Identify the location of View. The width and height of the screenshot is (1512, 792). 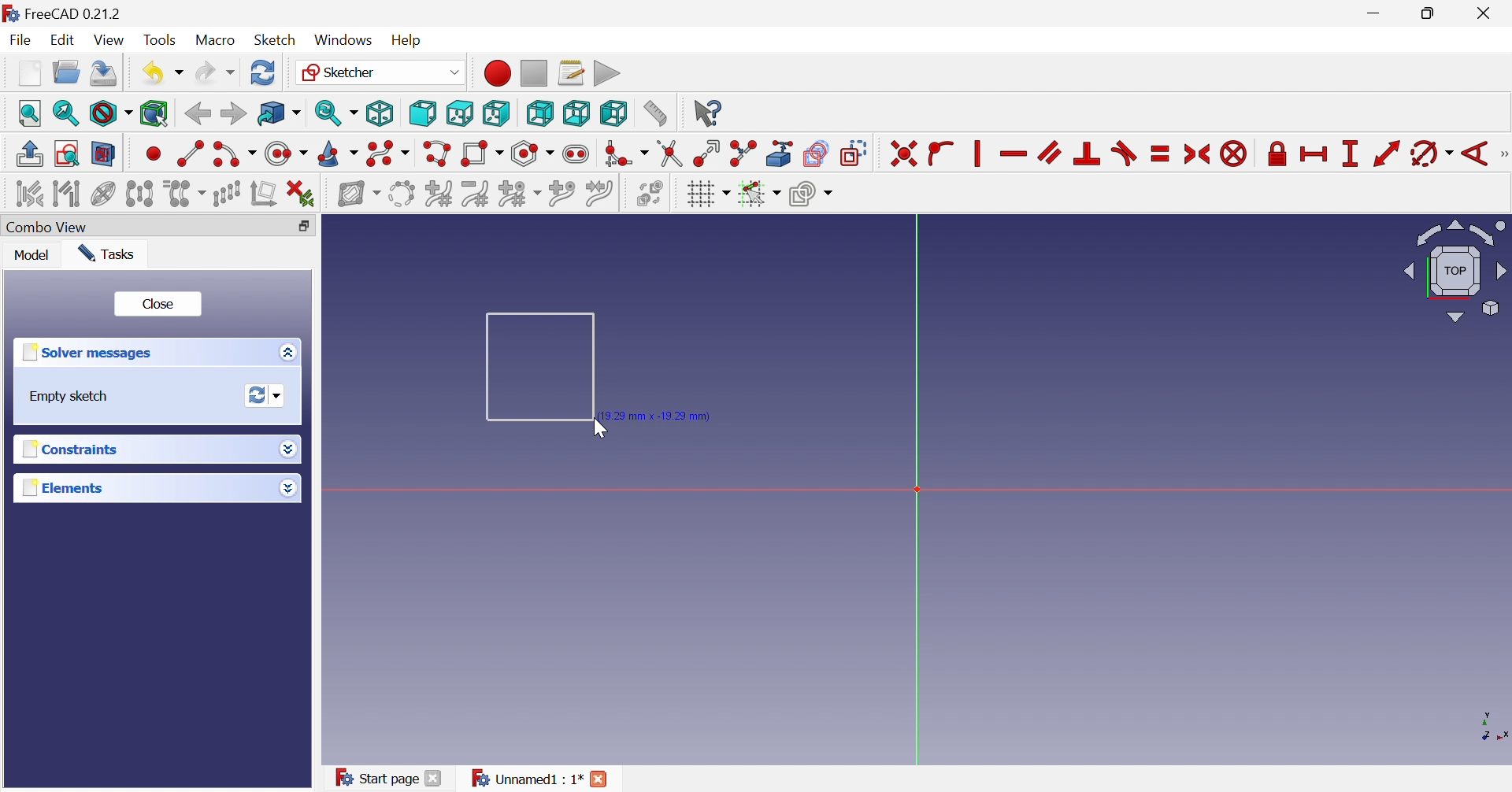
(111, 43).